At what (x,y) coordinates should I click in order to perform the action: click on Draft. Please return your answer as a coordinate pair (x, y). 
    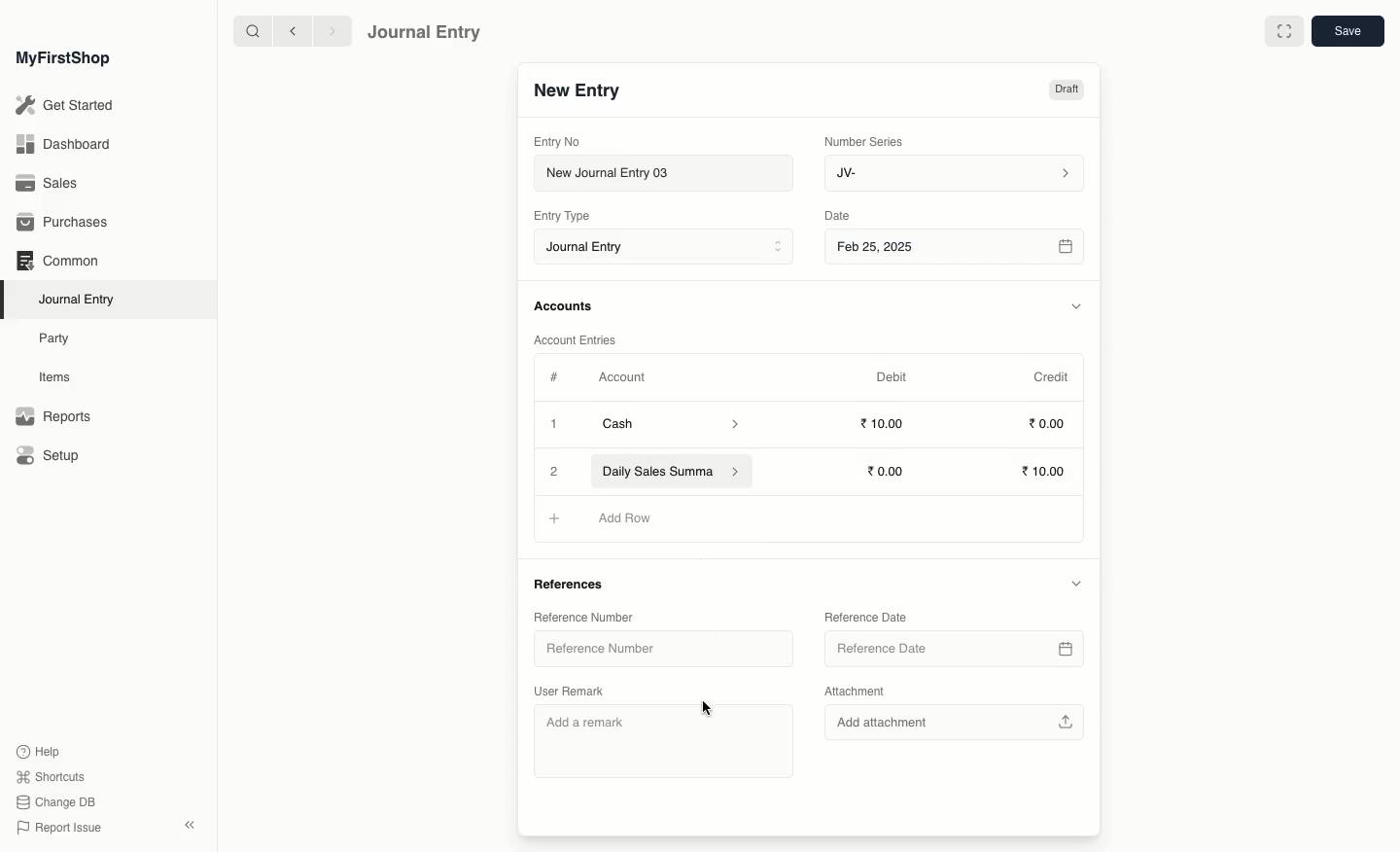
    Looking at the image, I should click on (1066, 91).